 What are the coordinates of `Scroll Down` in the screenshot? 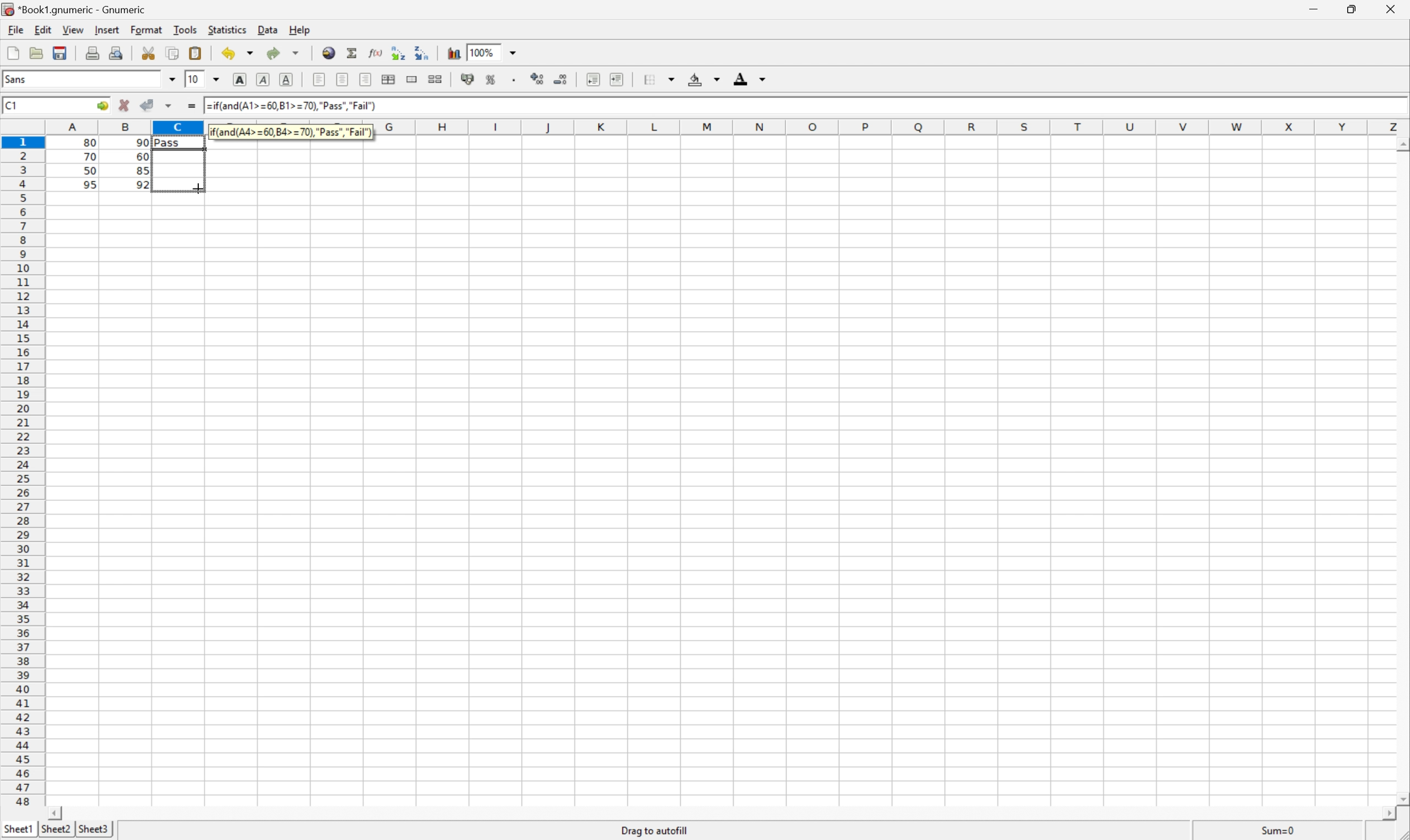 It's located at (1401, 797).